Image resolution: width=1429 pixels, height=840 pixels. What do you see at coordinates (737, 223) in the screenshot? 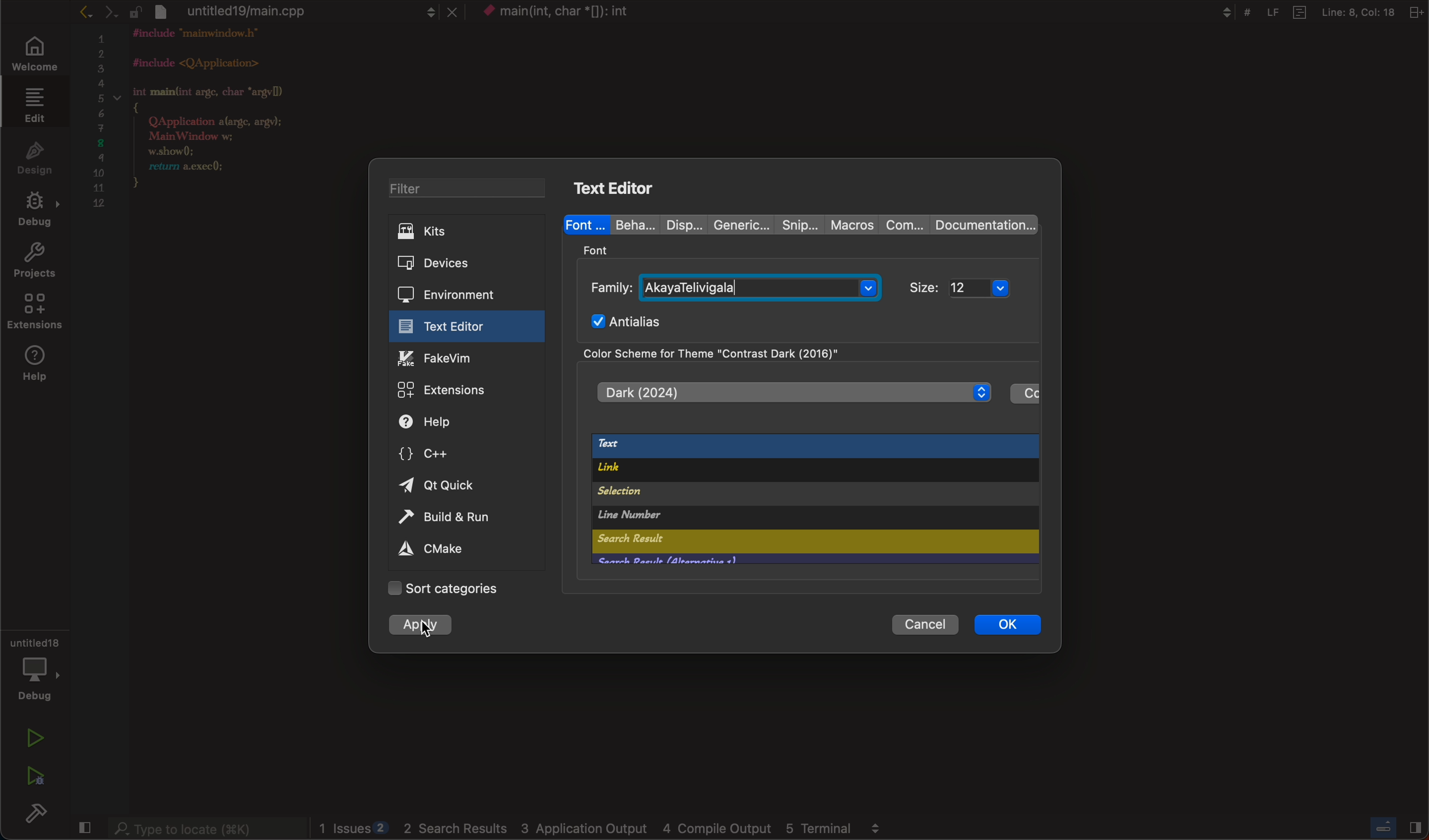
I see `generic` at bounding box center [737, 223].